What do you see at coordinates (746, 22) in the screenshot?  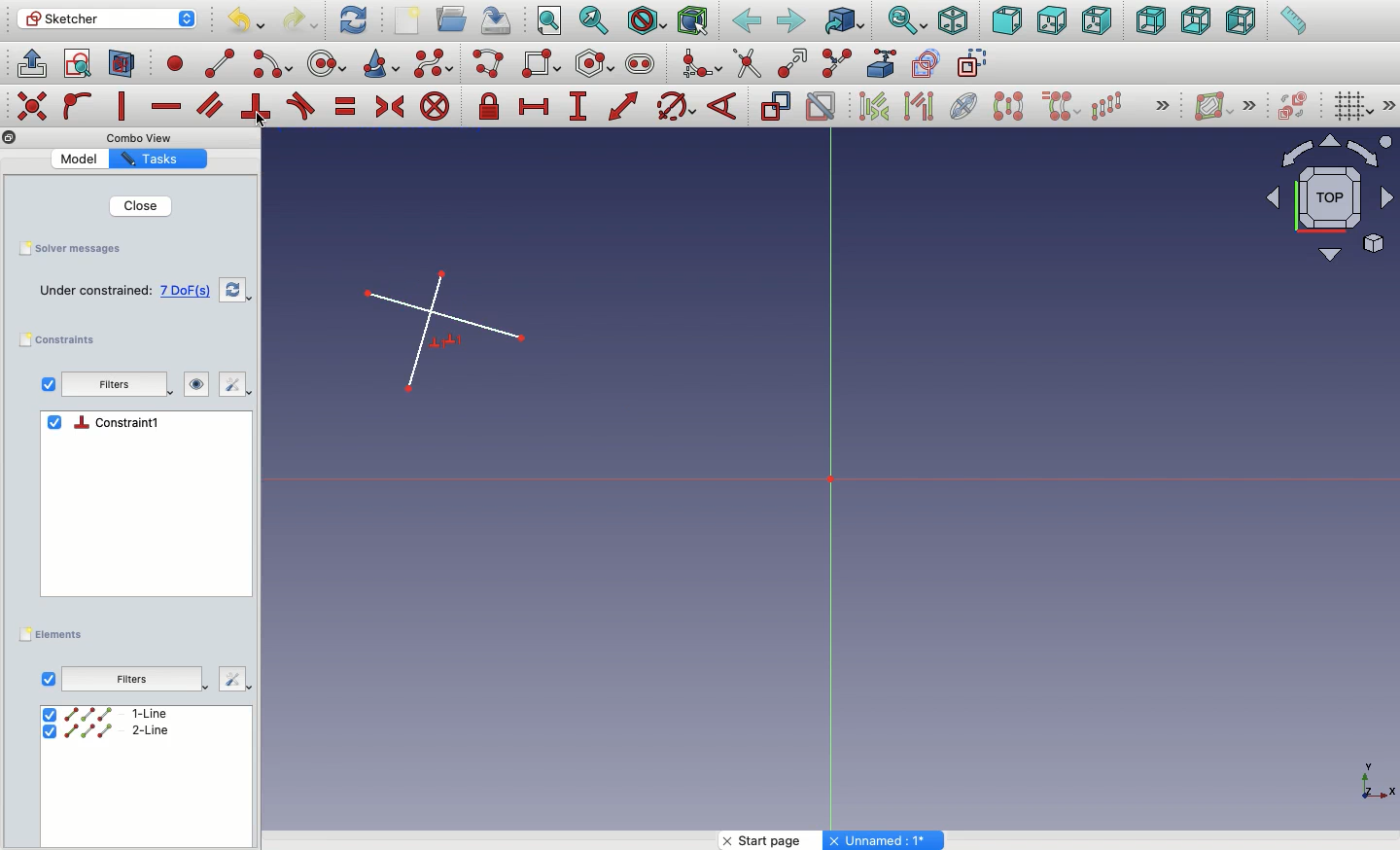 I see `Back` at bounding box center [746, 22].